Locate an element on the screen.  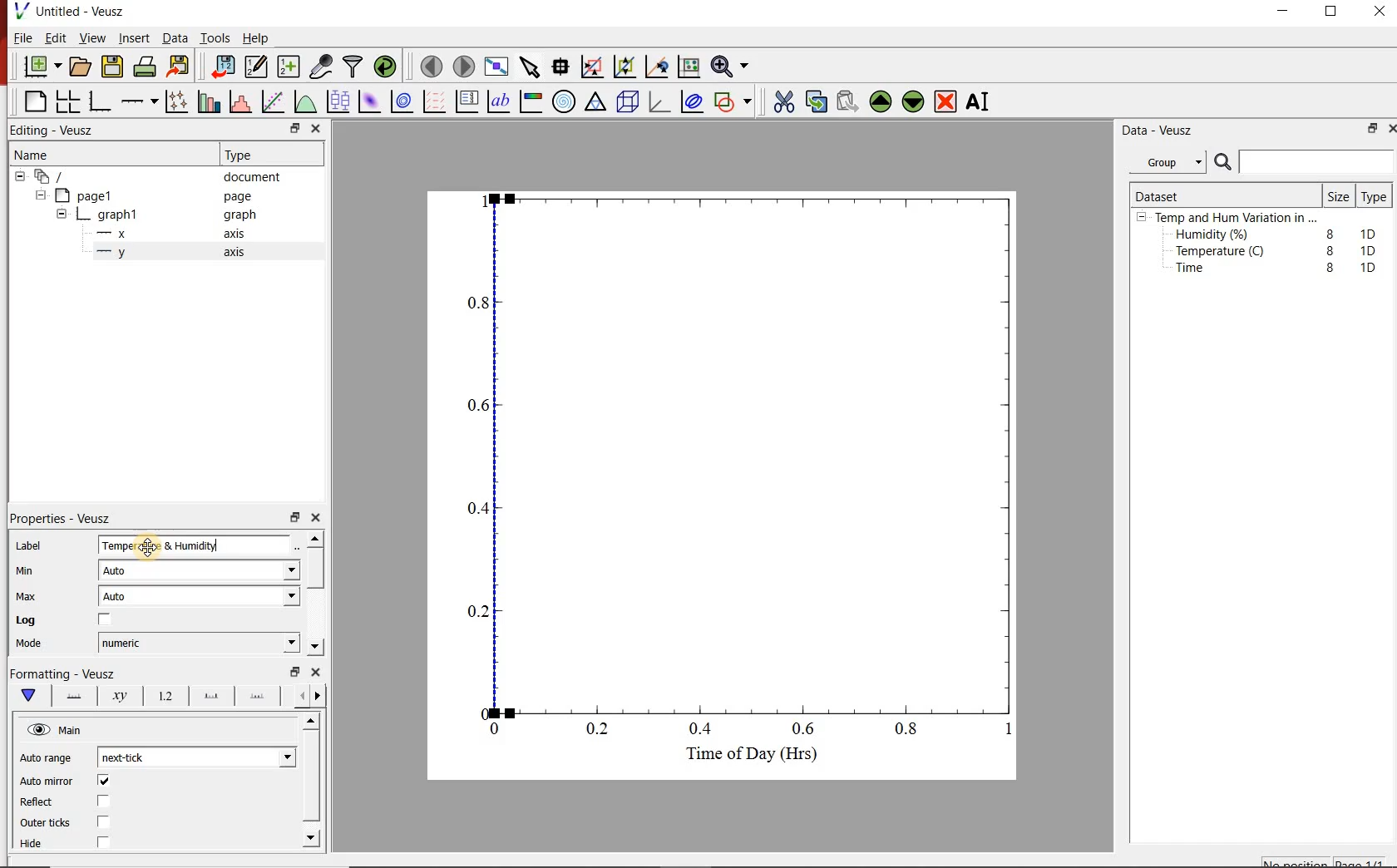
capture remote data is located at coordinates (320, 65).